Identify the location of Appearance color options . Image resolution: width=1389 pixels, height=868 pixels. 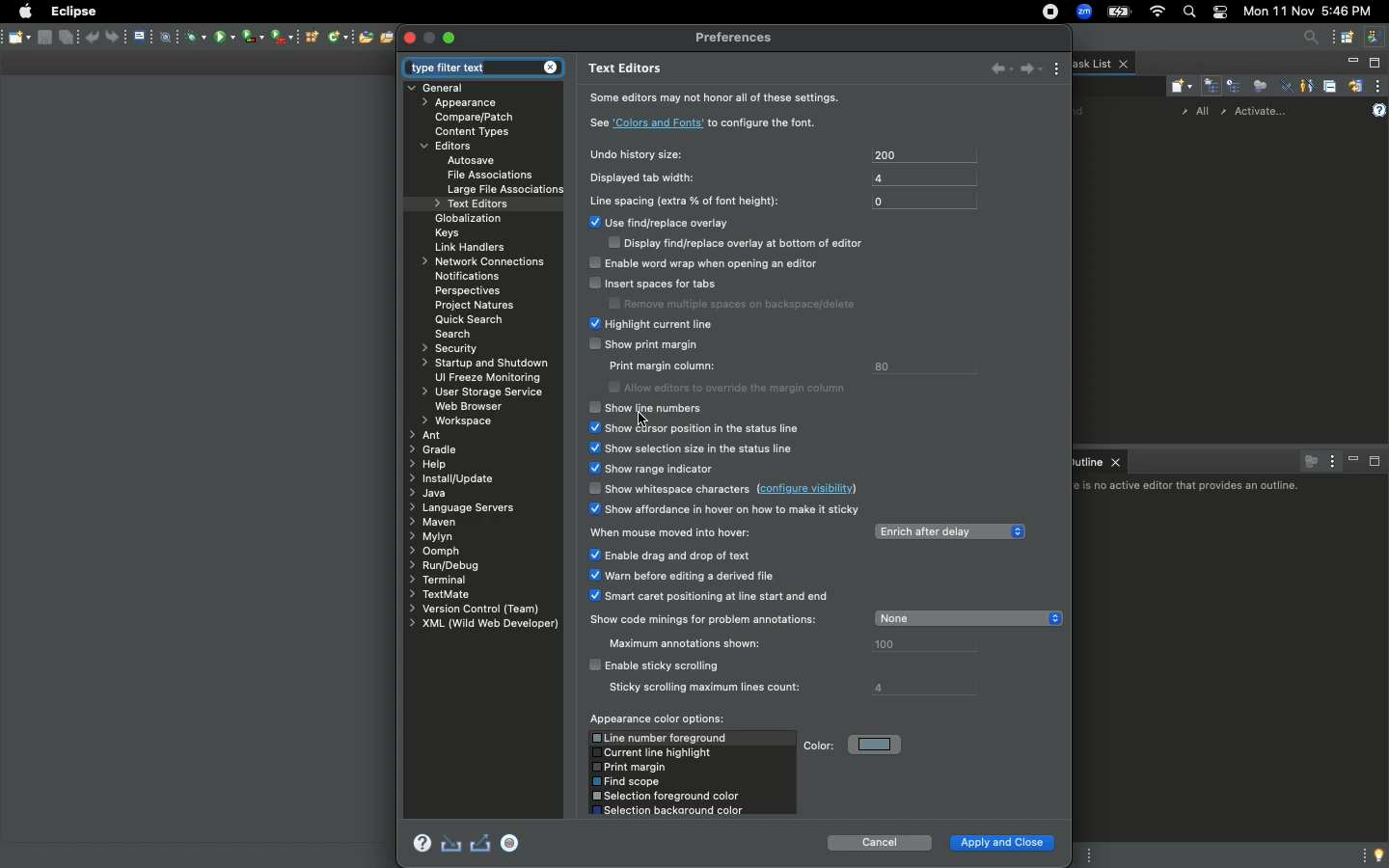
(658, 719).